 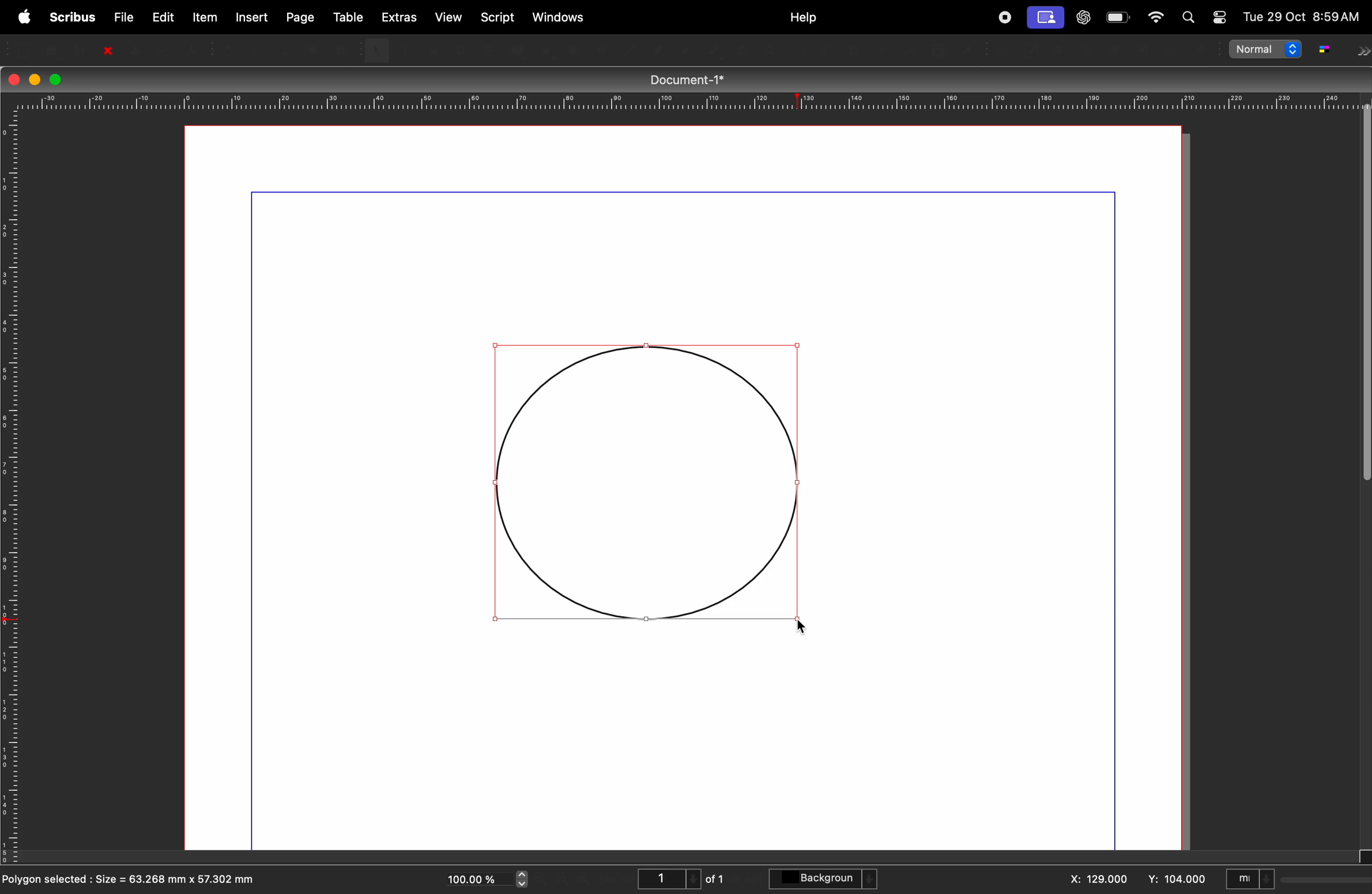 I want to click on chatgpt, so click(x=1083, y=16).